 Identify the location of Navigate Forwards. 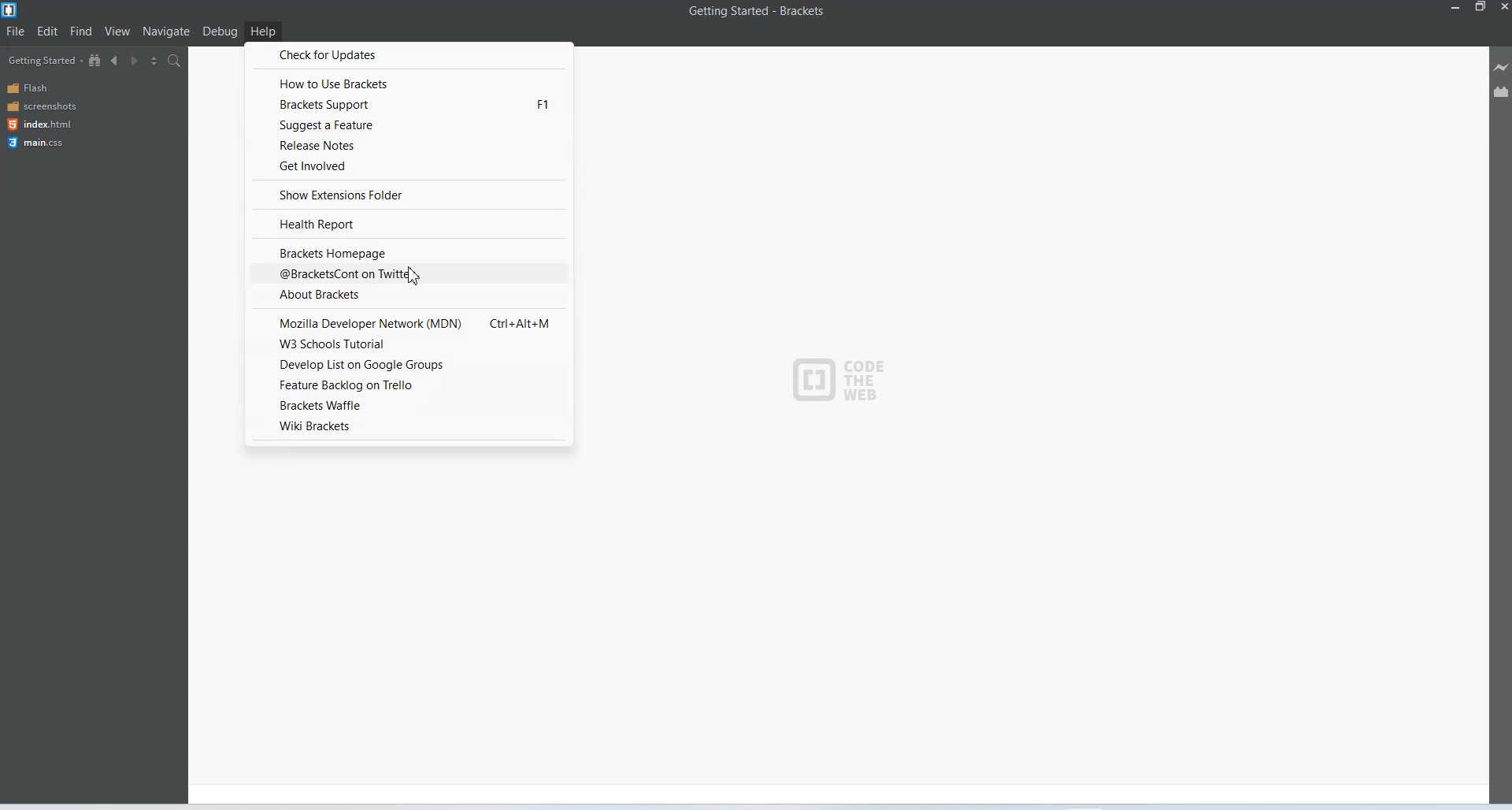
(136, 61).